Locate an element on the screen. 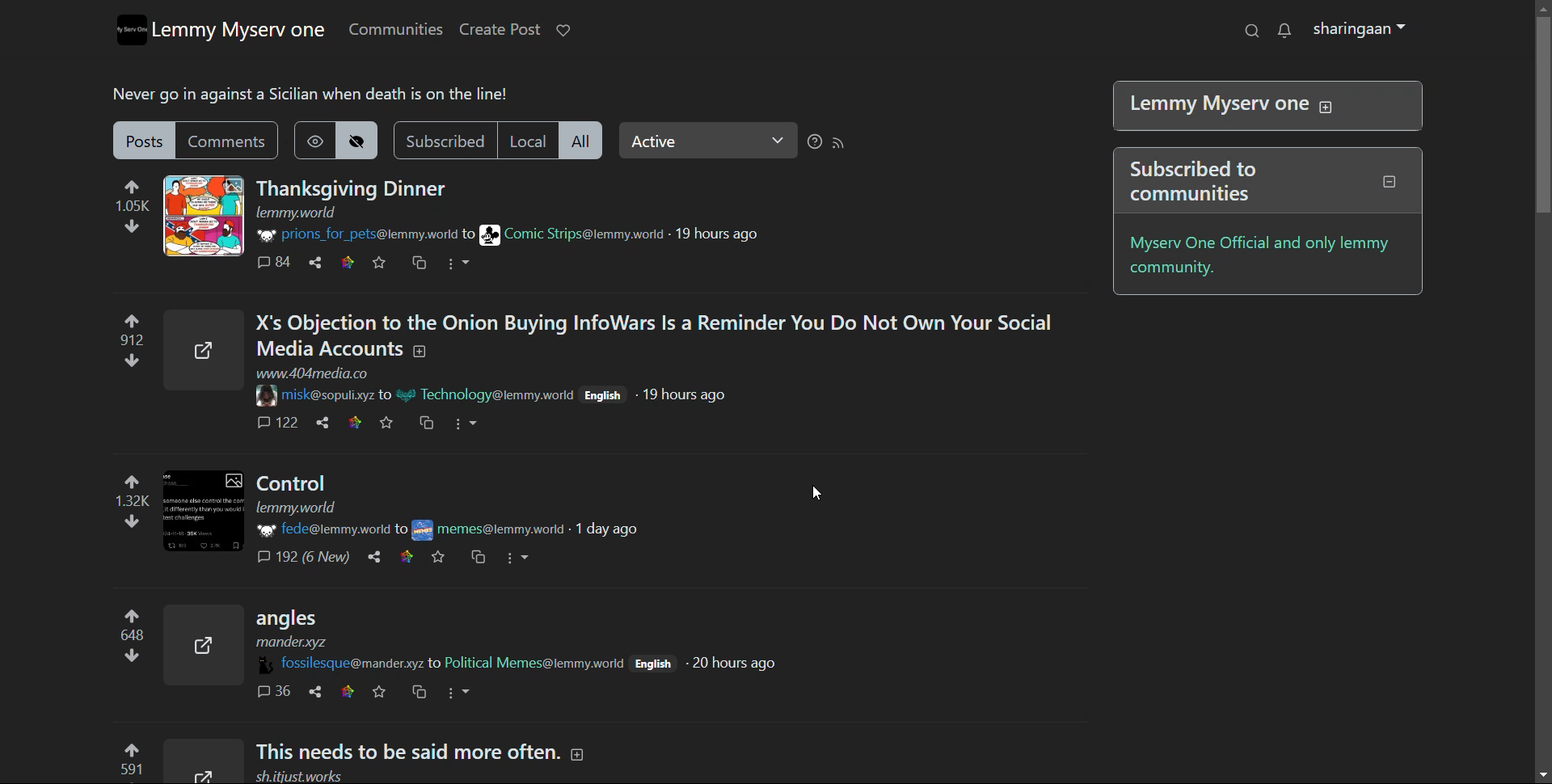 This screenshot has height=784, width=1552. Subscribed to communities is located at coordinates (1264, 182).